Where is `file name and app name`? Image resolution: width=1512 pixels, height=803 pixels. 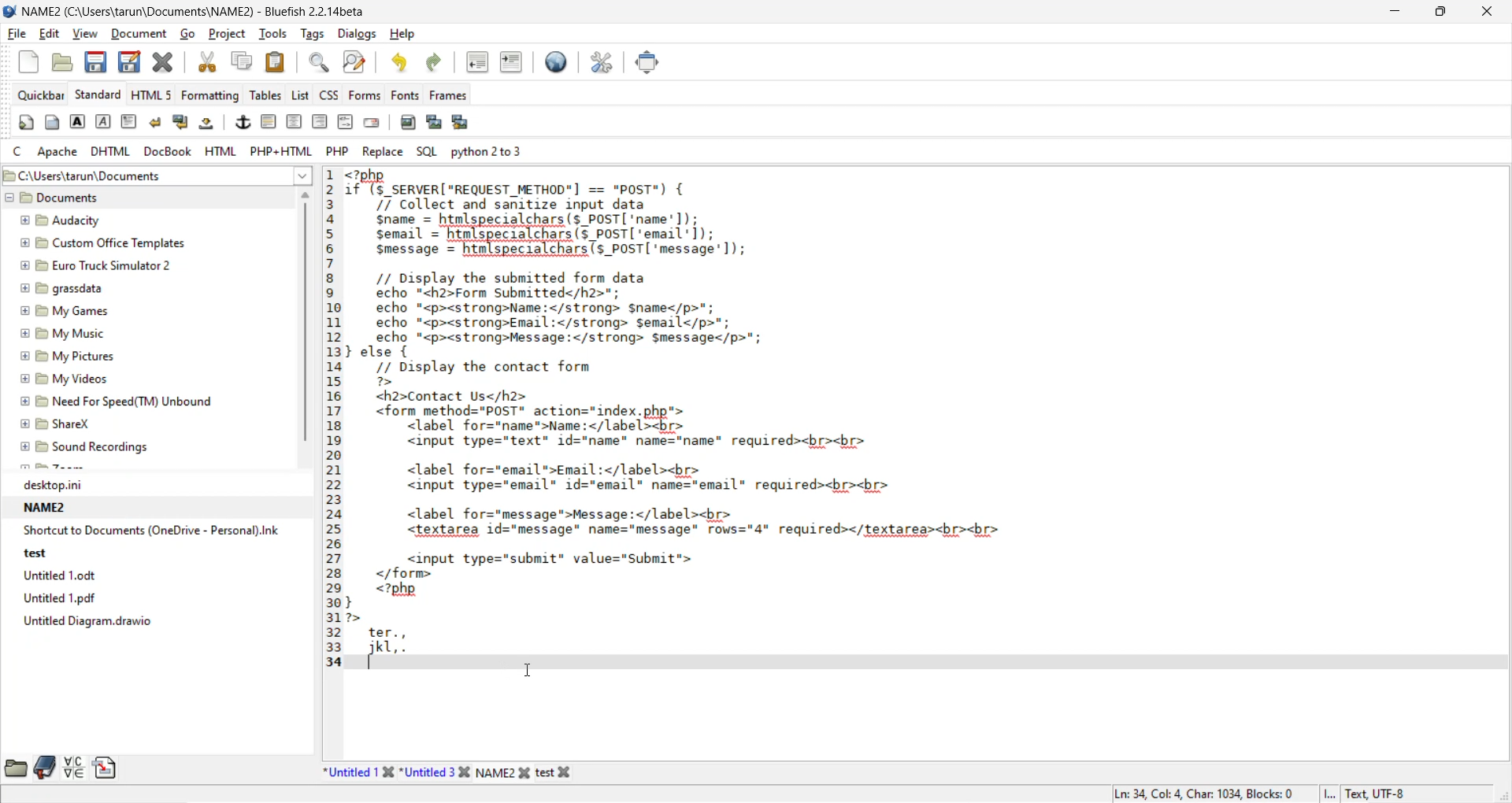 file name and app name is located at coordinates (197, 12).